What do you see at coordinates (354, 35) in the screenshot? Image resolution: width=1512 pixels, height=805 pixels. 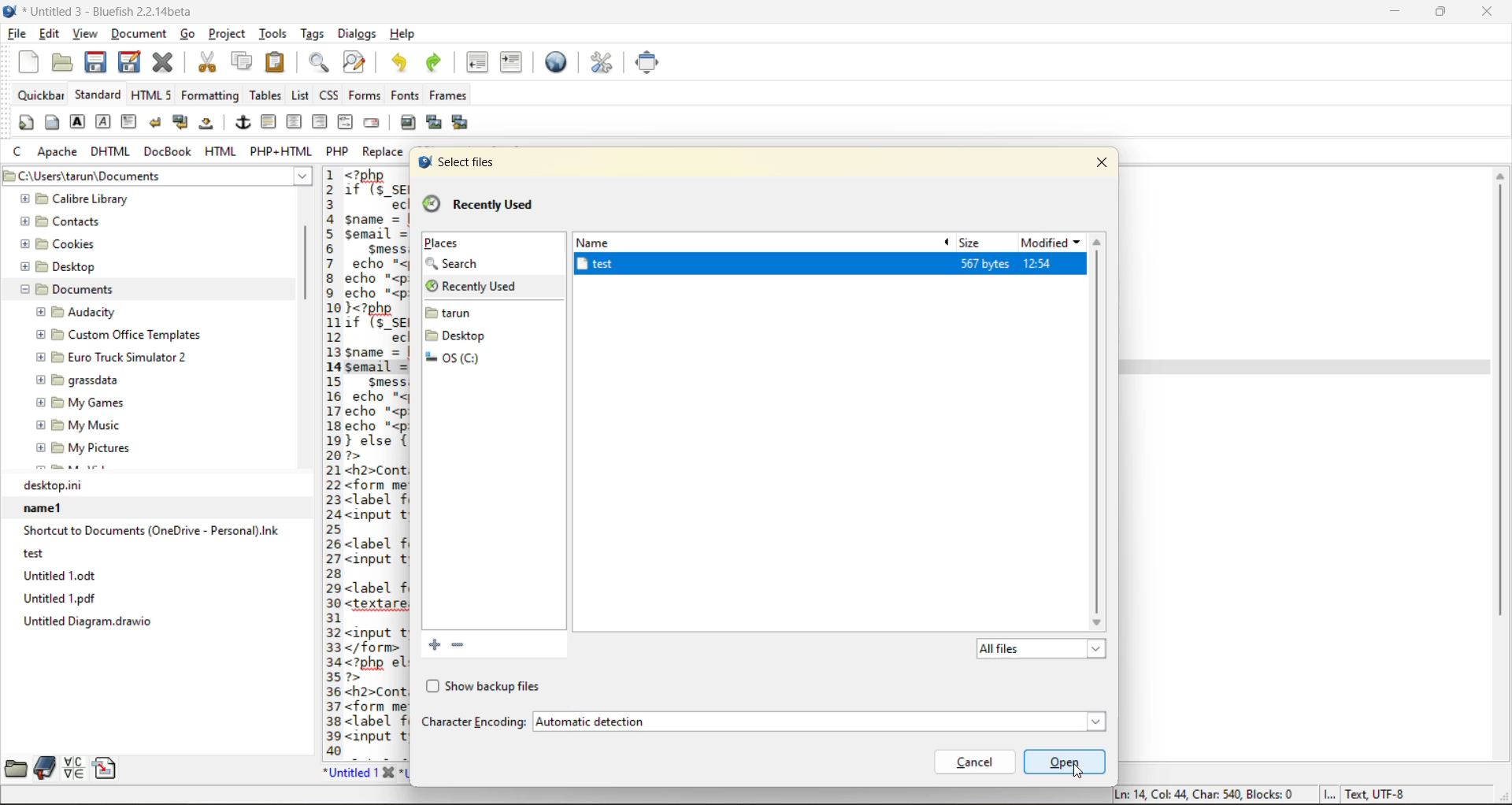 I see `dialogs` at bounding box center [354, 35].